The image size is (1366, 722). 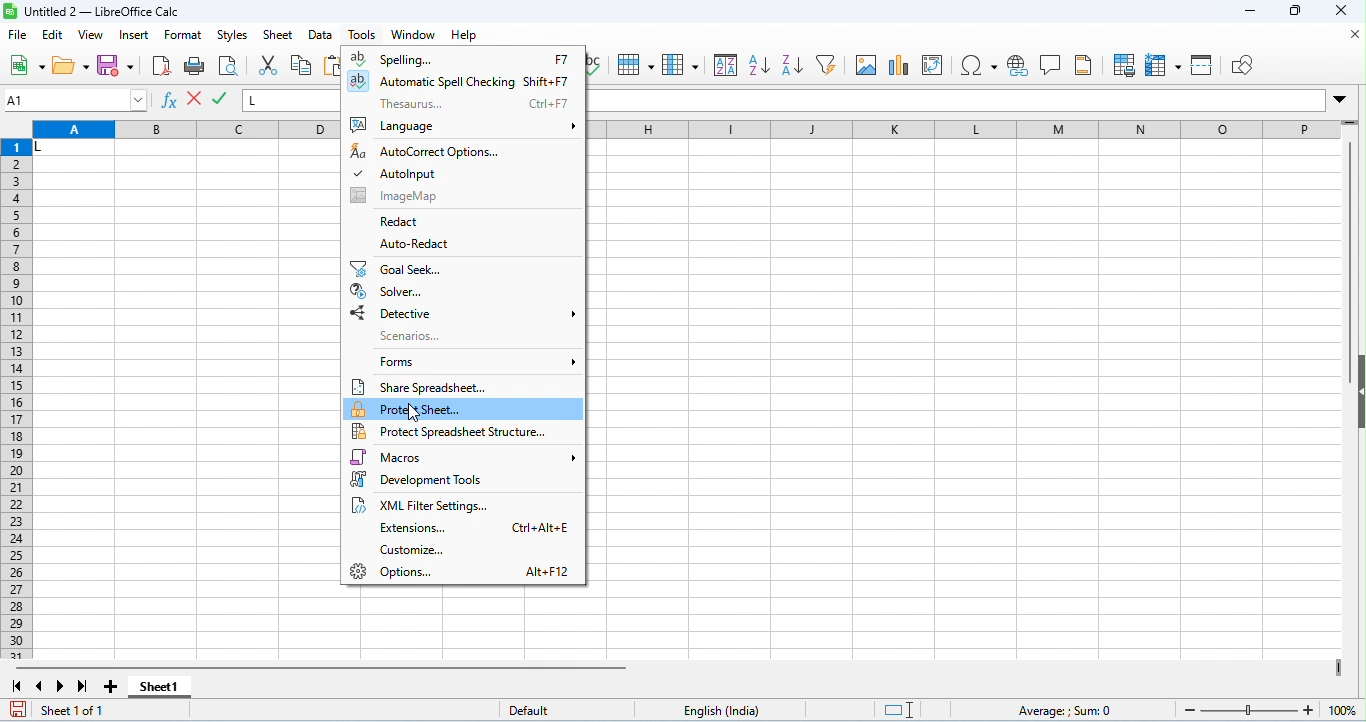 I want to click on insert special characters, so click(x=979, y=65).